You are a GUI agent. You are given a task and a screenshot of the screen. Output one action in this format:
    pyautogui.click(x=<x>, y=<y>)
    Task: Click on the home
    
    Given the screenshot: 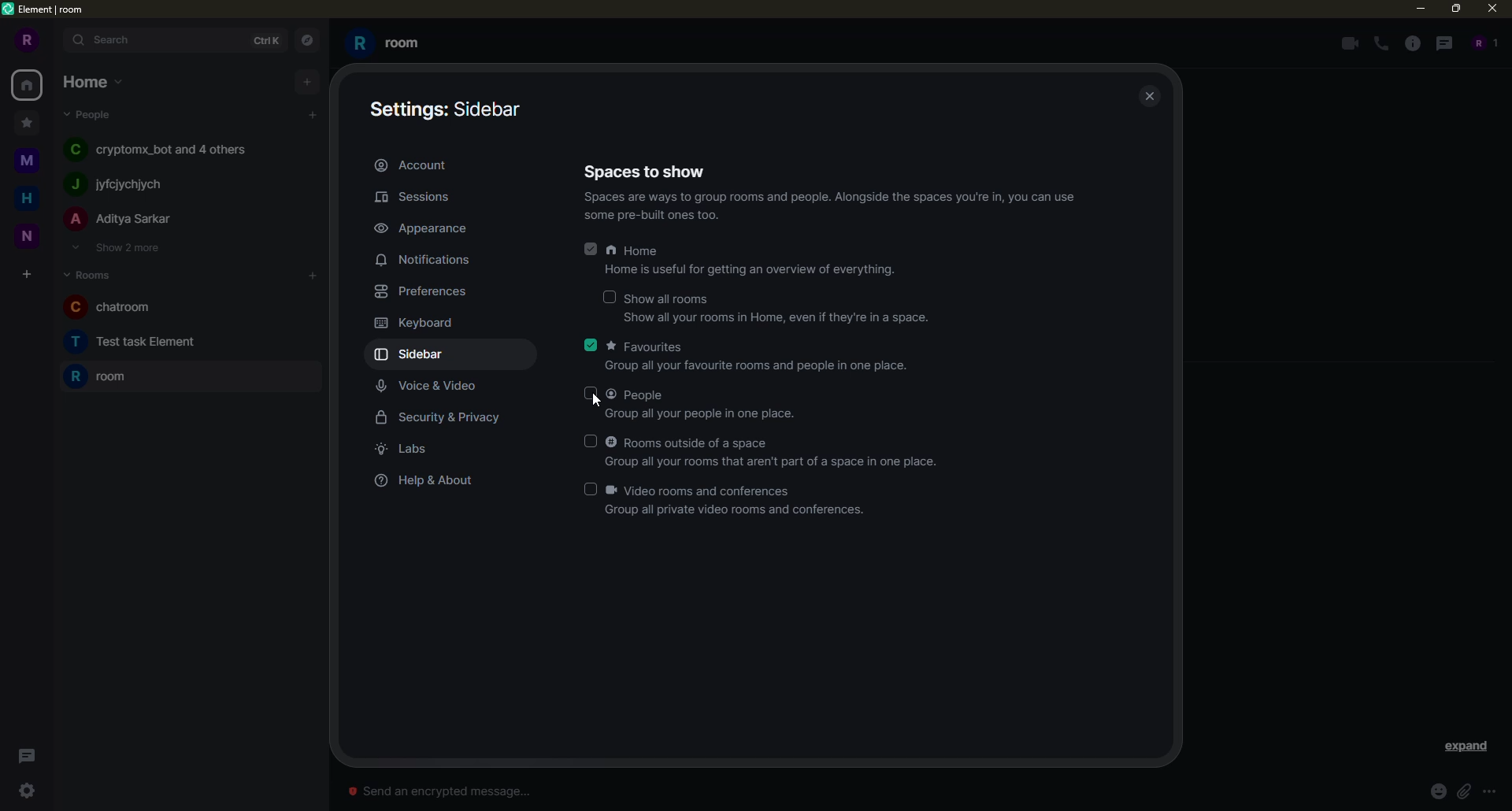 What is the action you would take?
    pyautogui.click(x=91, y=81)
    